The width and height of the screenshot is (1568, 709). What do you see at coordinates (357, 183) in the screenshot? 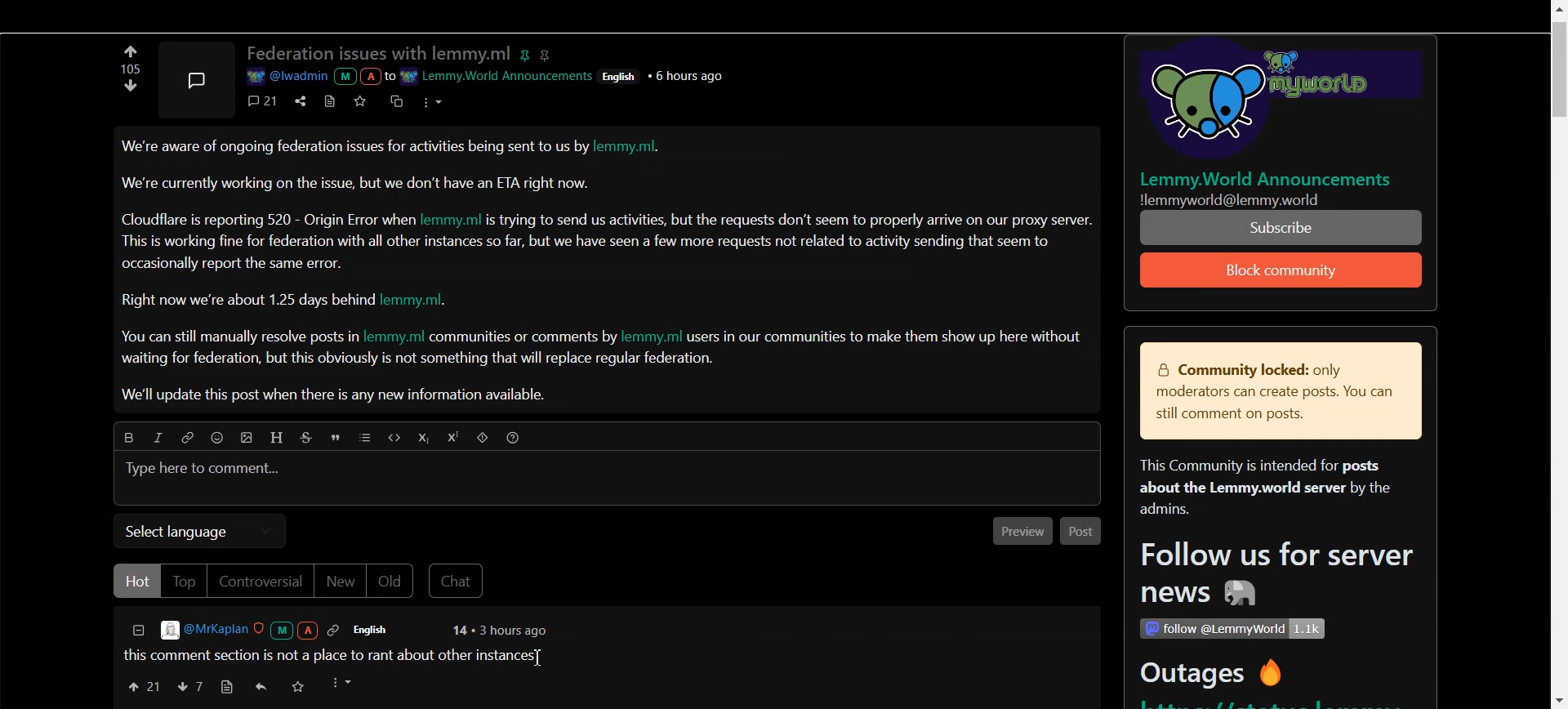
I see `We're currently working on the issue, but we don’t have an ETA right now.` at bounding box center [357, 183].